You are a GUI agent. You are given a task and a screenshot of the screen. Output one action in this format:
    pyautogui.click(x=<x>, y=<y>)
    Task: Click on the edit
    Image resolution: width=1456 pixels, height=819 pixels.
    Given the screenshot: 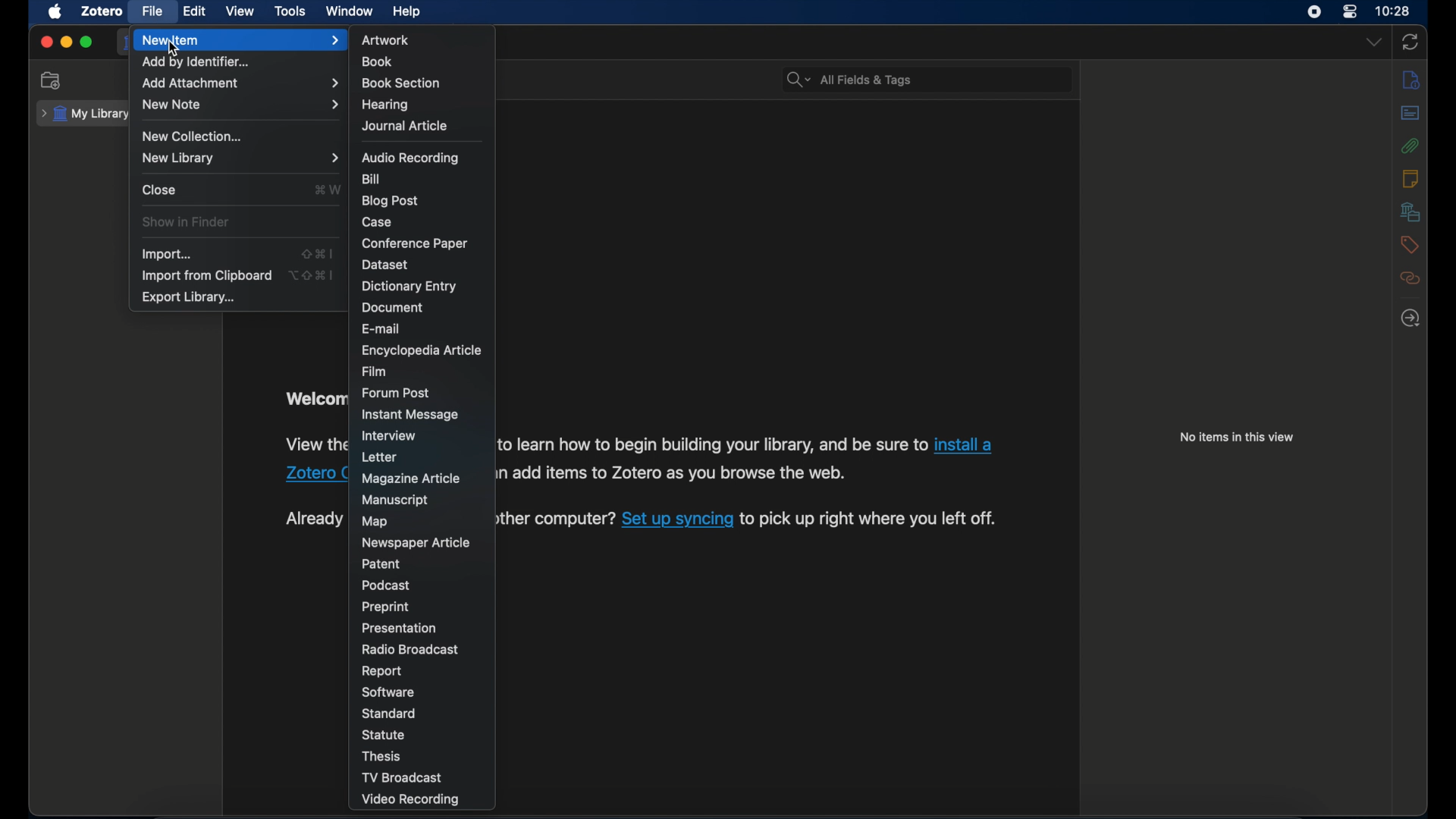 What is the action you would take?
    pyautogui.click(x=195, y=12)
    